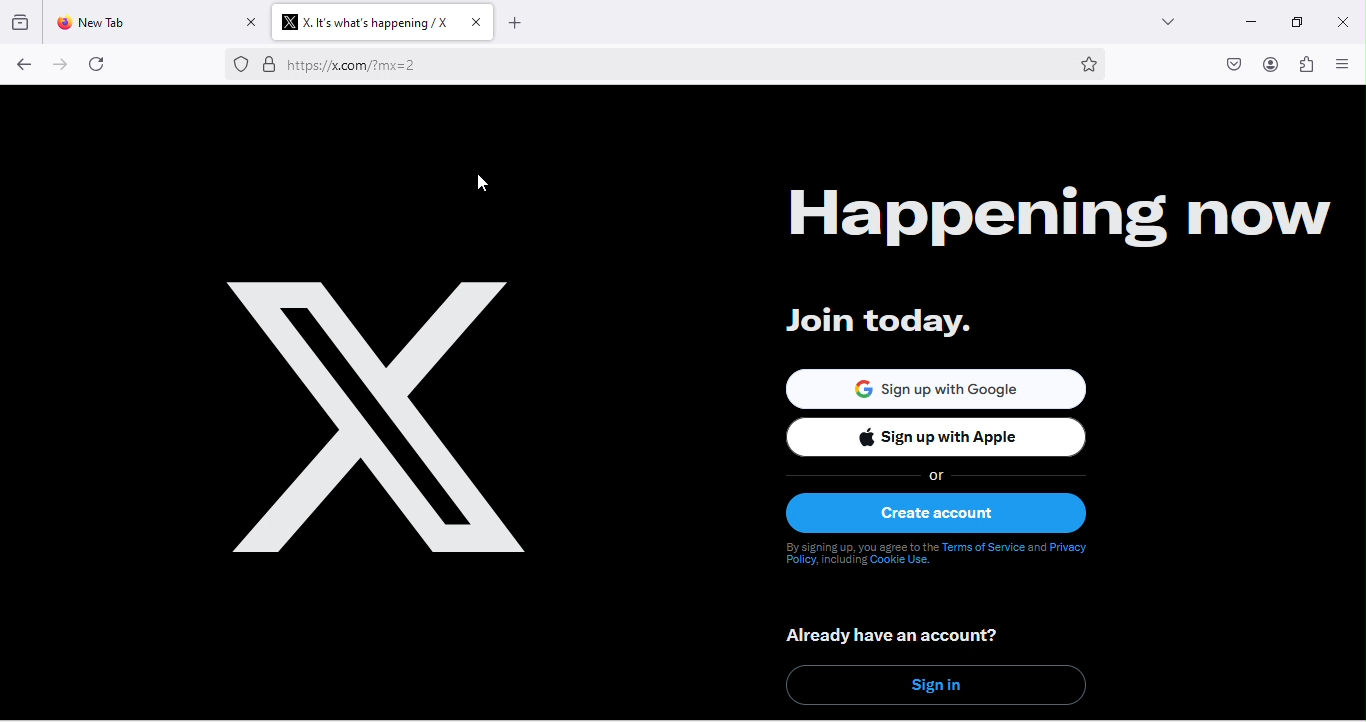  What do you see at coordinates (268, 67) in the screenshot?
I see `secure ` at bounding box center [268, 67].